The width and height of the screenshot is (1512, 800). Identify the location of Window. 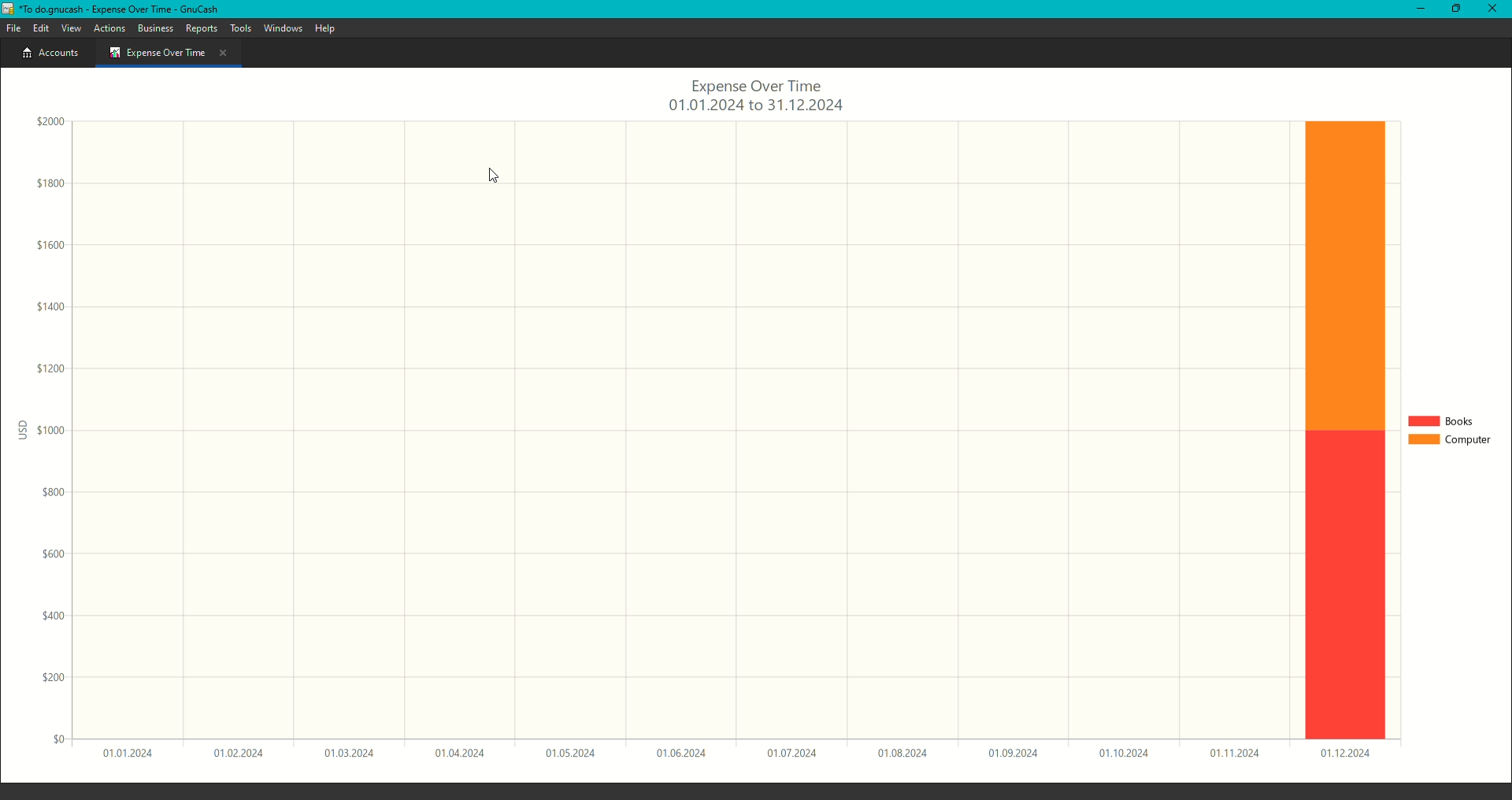
(281, 29).